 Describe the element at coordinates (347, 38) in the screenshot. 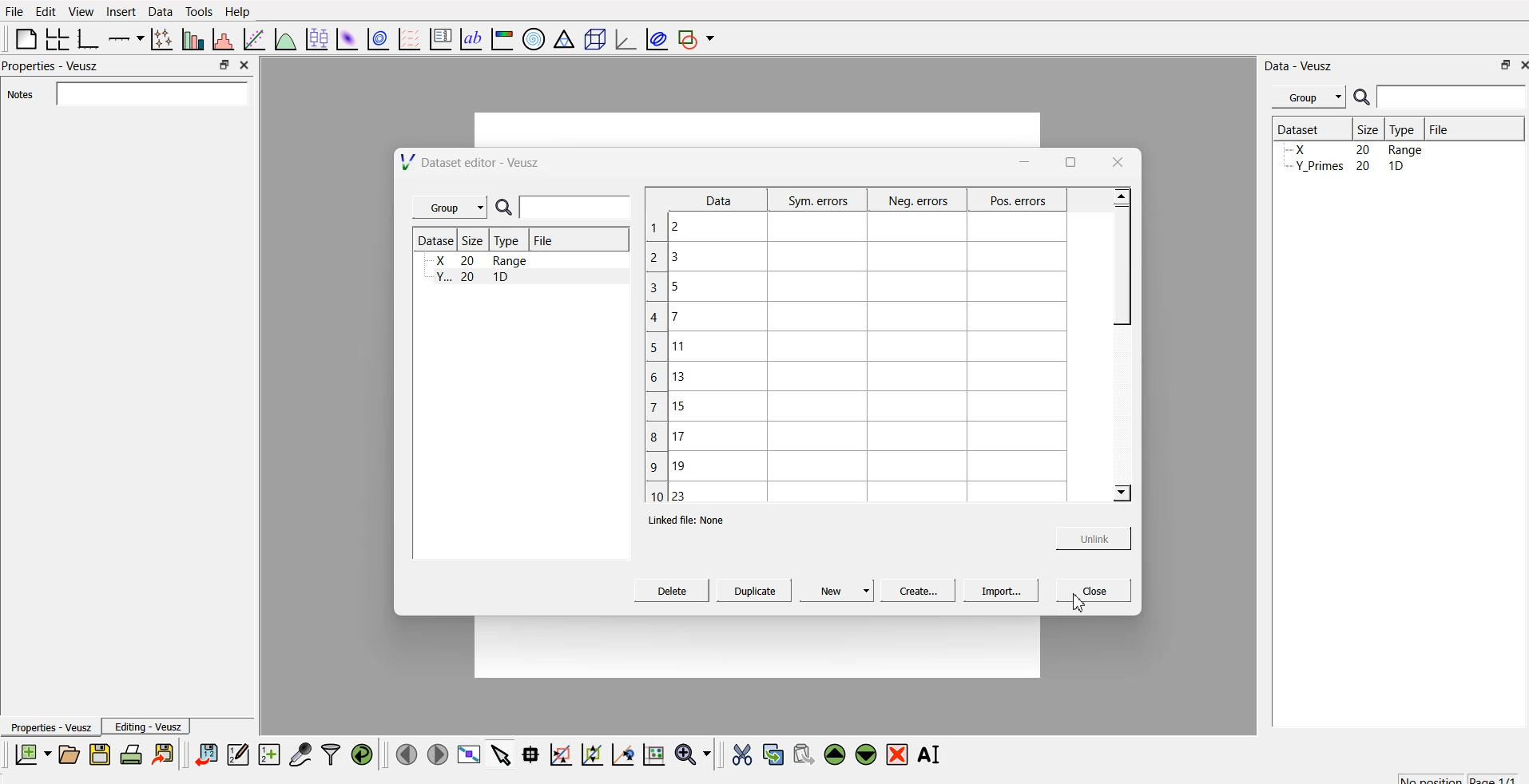

I see `plot dataset` at that location.